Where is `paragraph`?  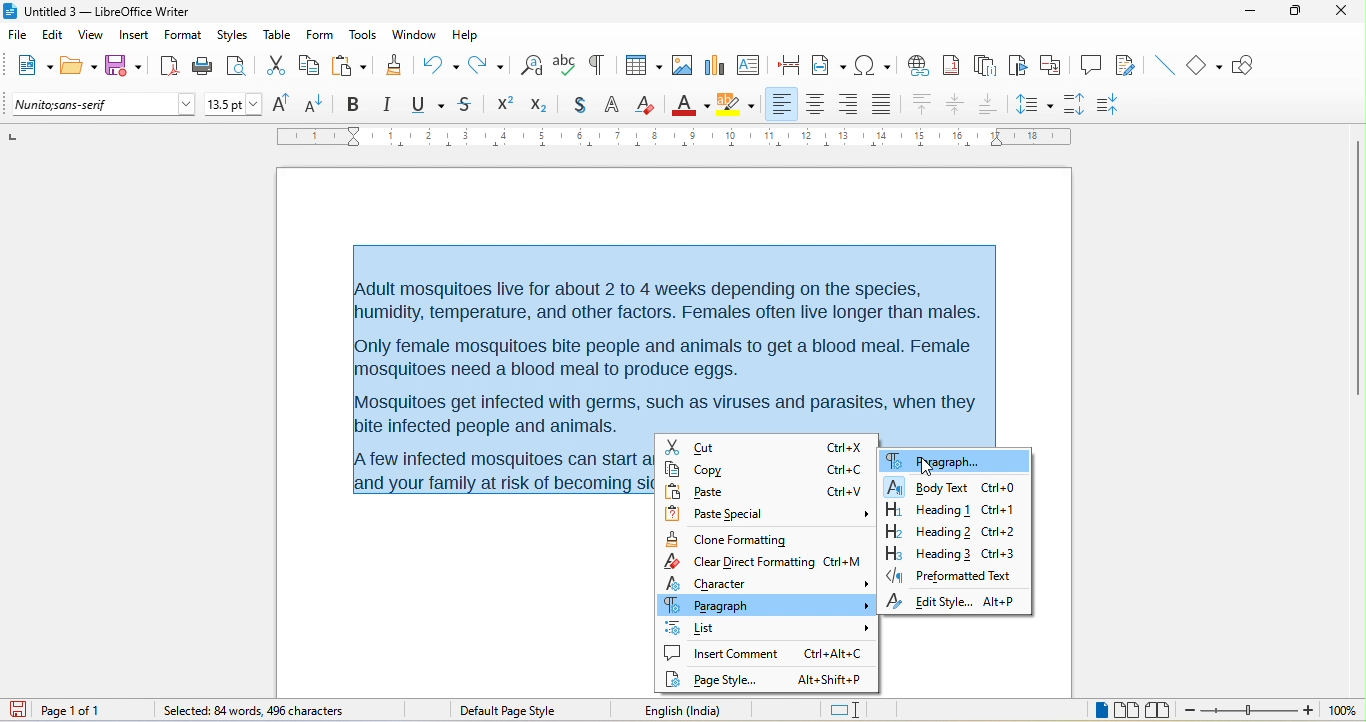
paragraph is located at coordinates (934, 460).